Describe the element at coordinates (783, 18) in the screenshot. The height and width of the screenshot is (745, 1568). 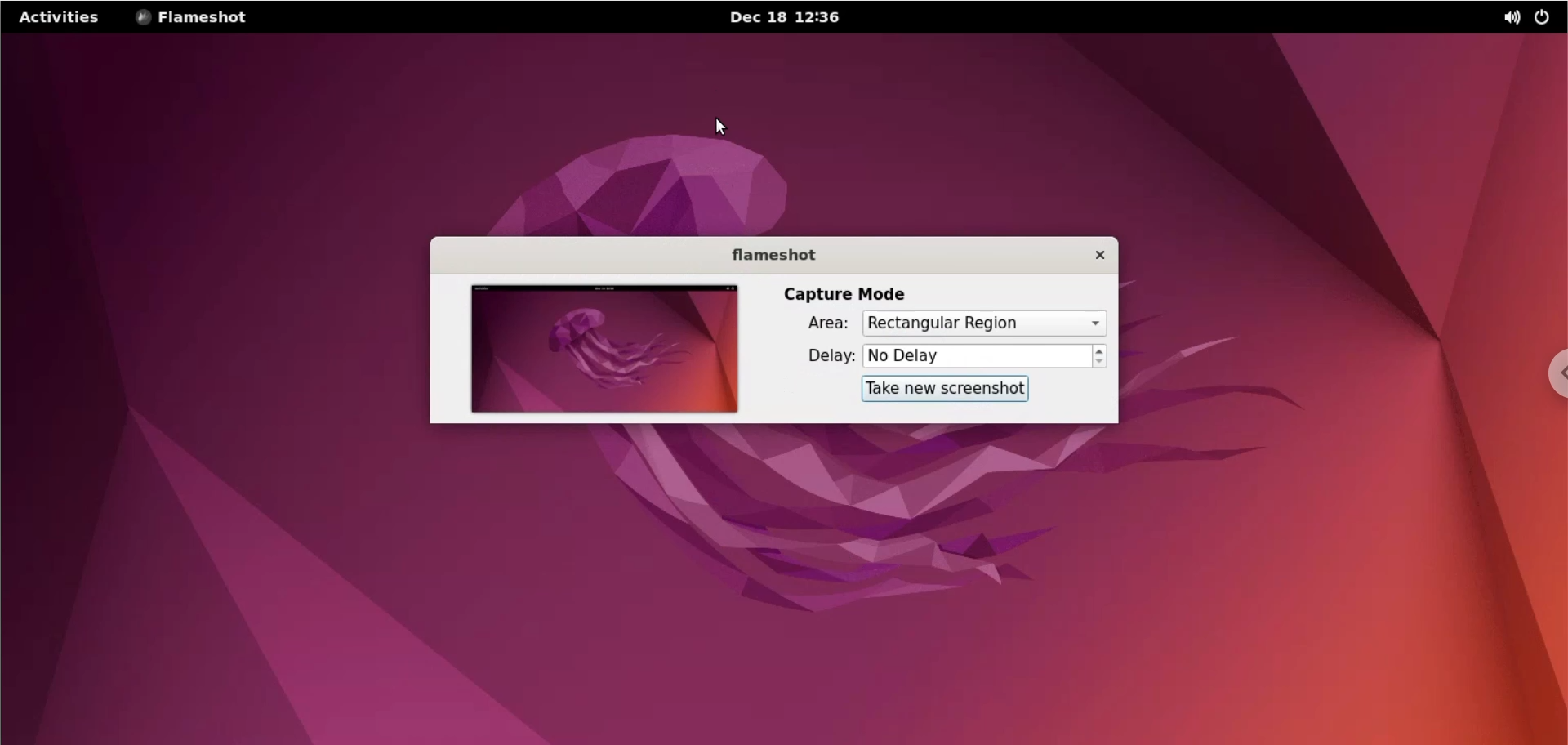
I see `date and menu` at that location.